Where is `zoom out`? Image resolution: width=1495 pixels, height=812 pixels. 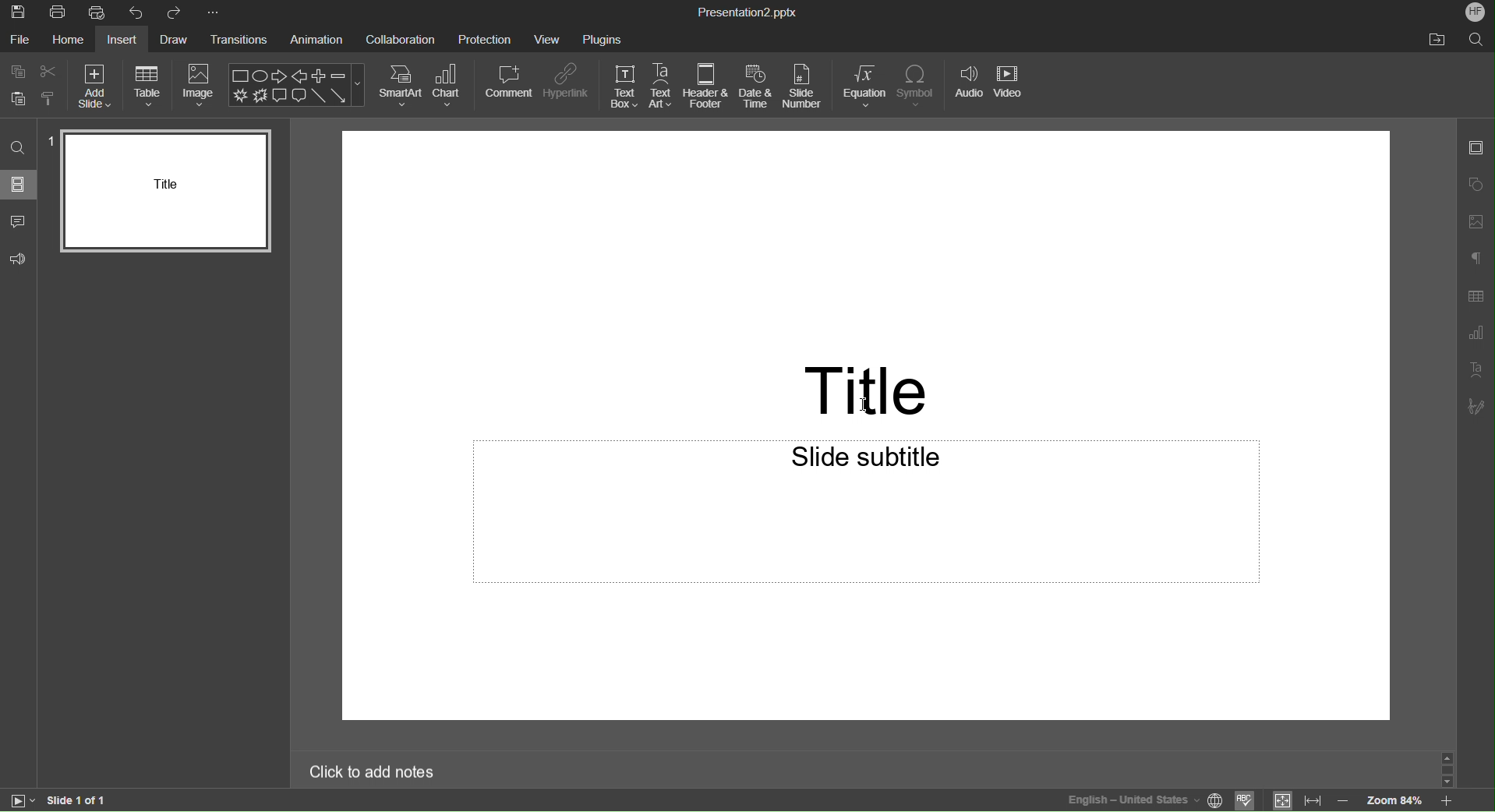
zoom out is located at coordinates (1345, 799).